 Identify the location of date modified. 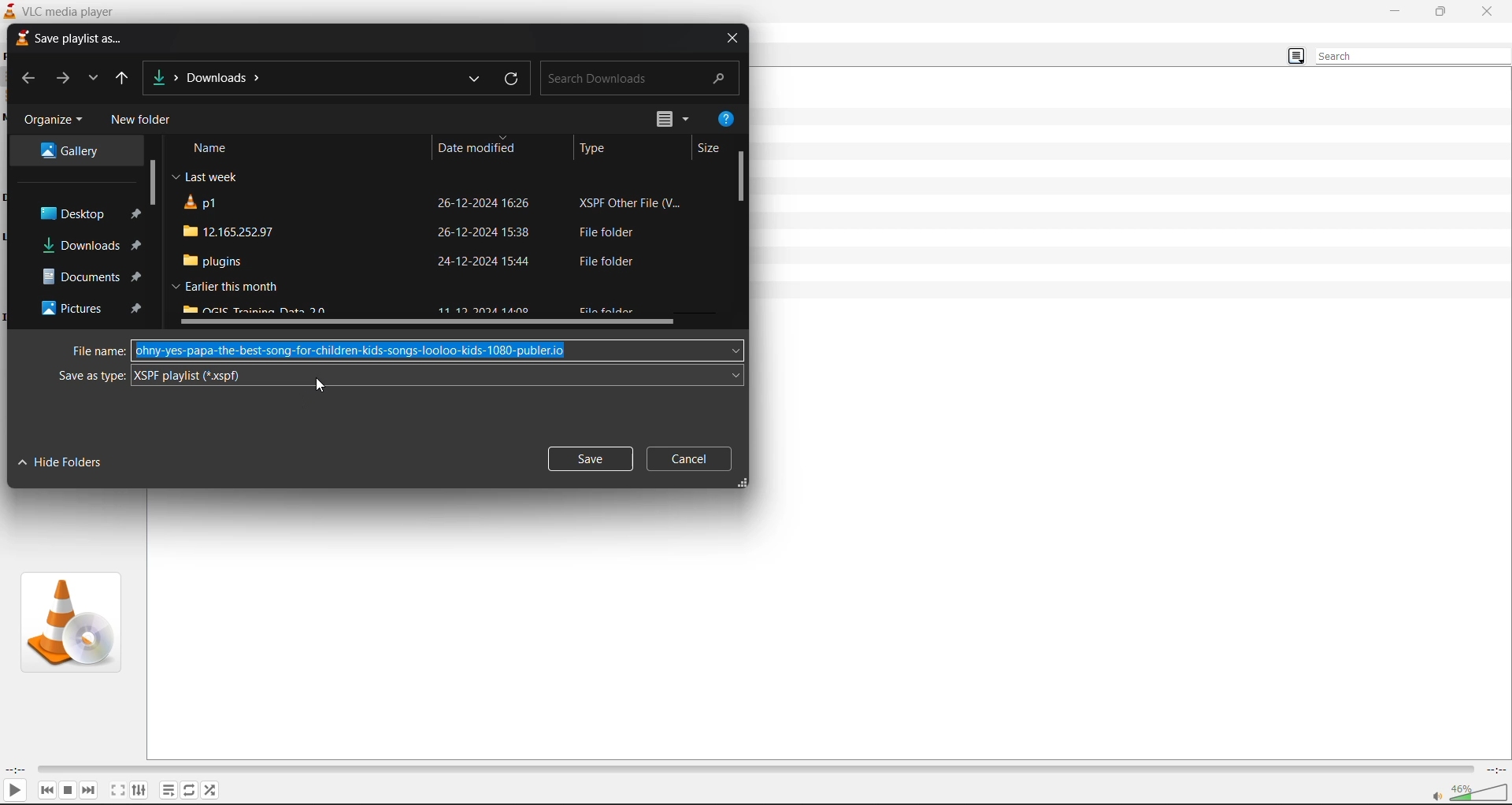
(476, 147).